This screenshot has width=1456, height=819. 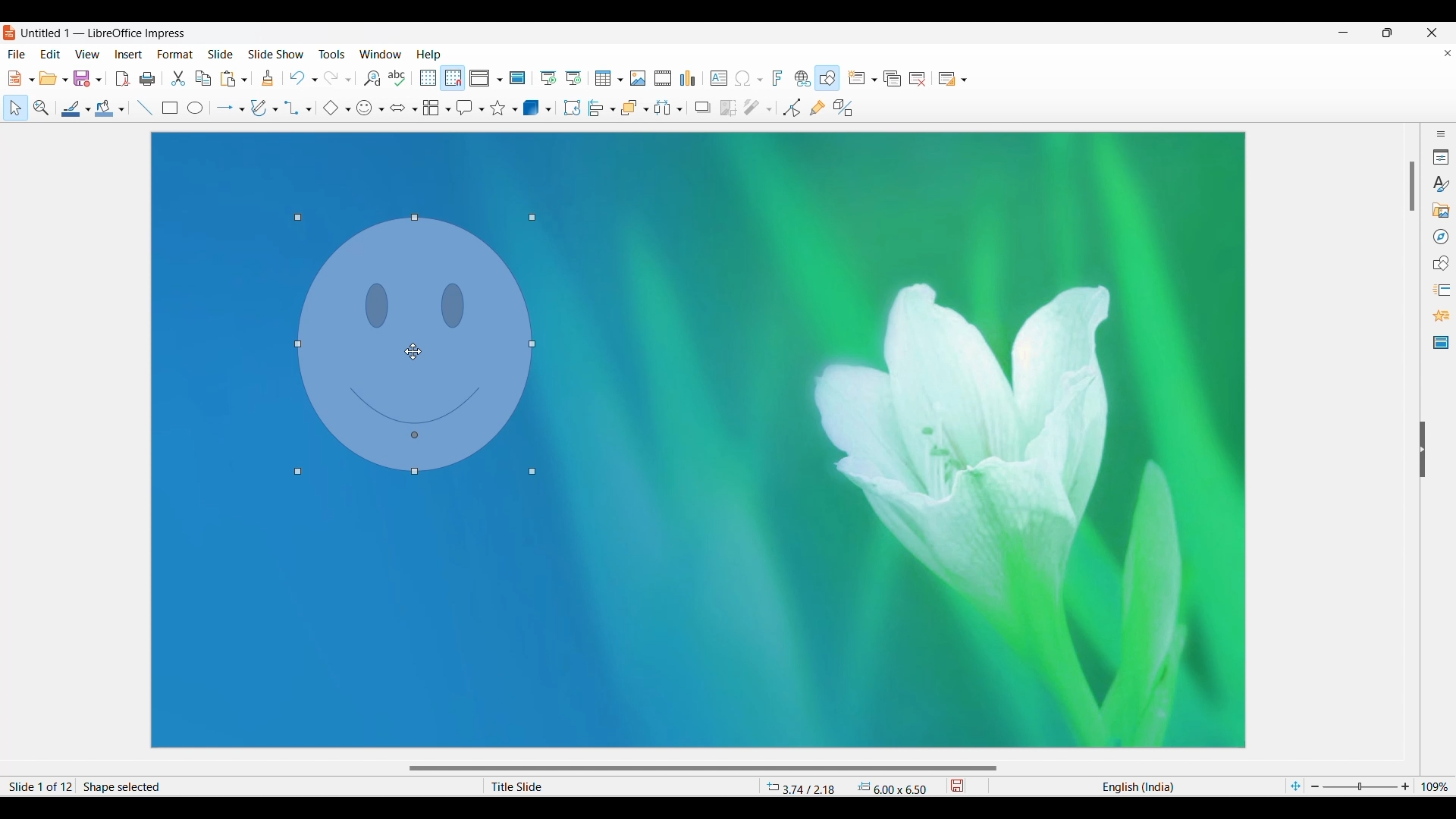 What do you see at coordinates (760, 80) in the screenshot?
I see `Special character options` at bounding box center [760, 80].